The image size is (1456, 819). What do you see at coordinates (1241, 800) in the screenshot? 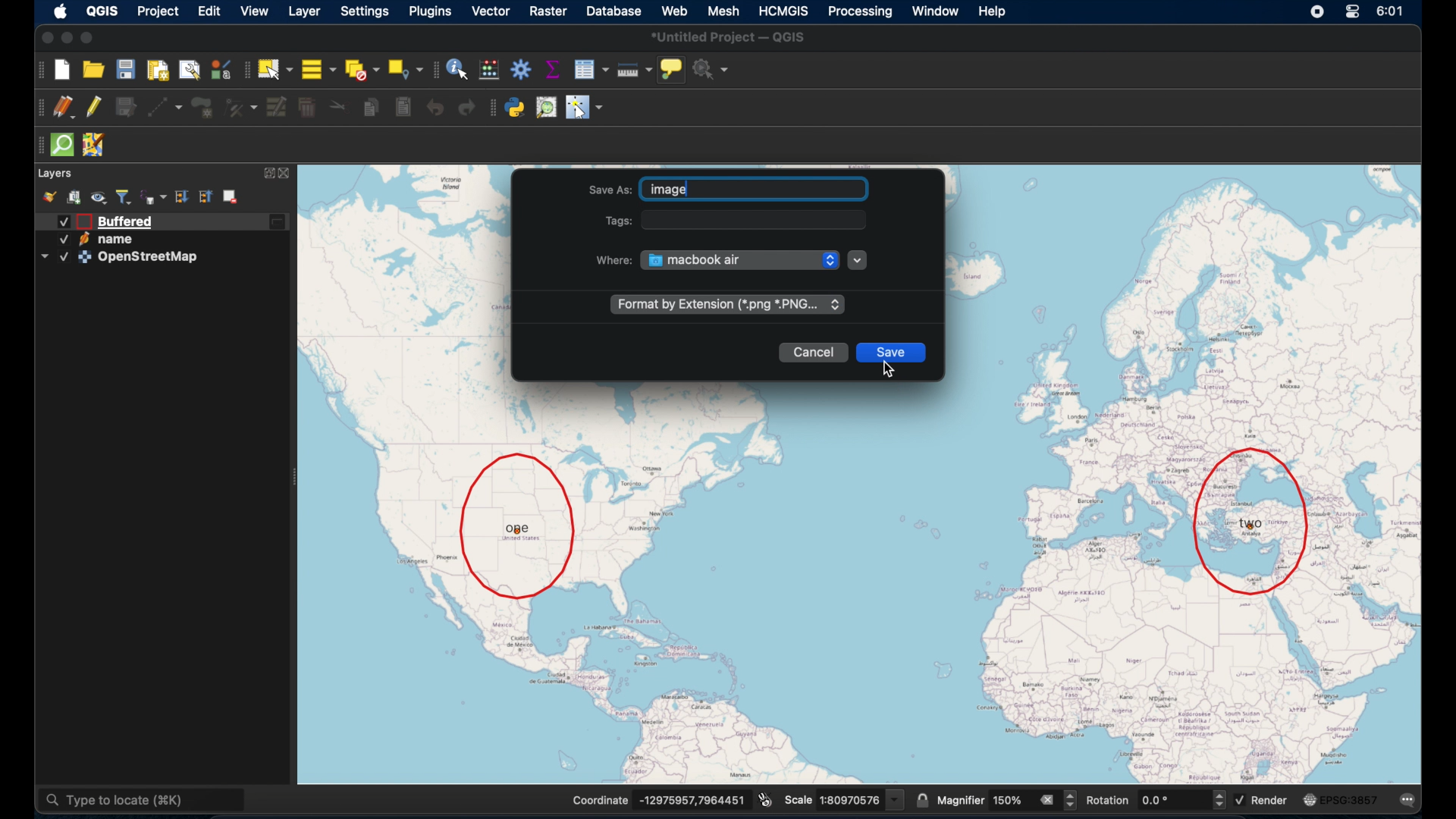
I see `Checked checkbox` at bounding box center [1241, 800].